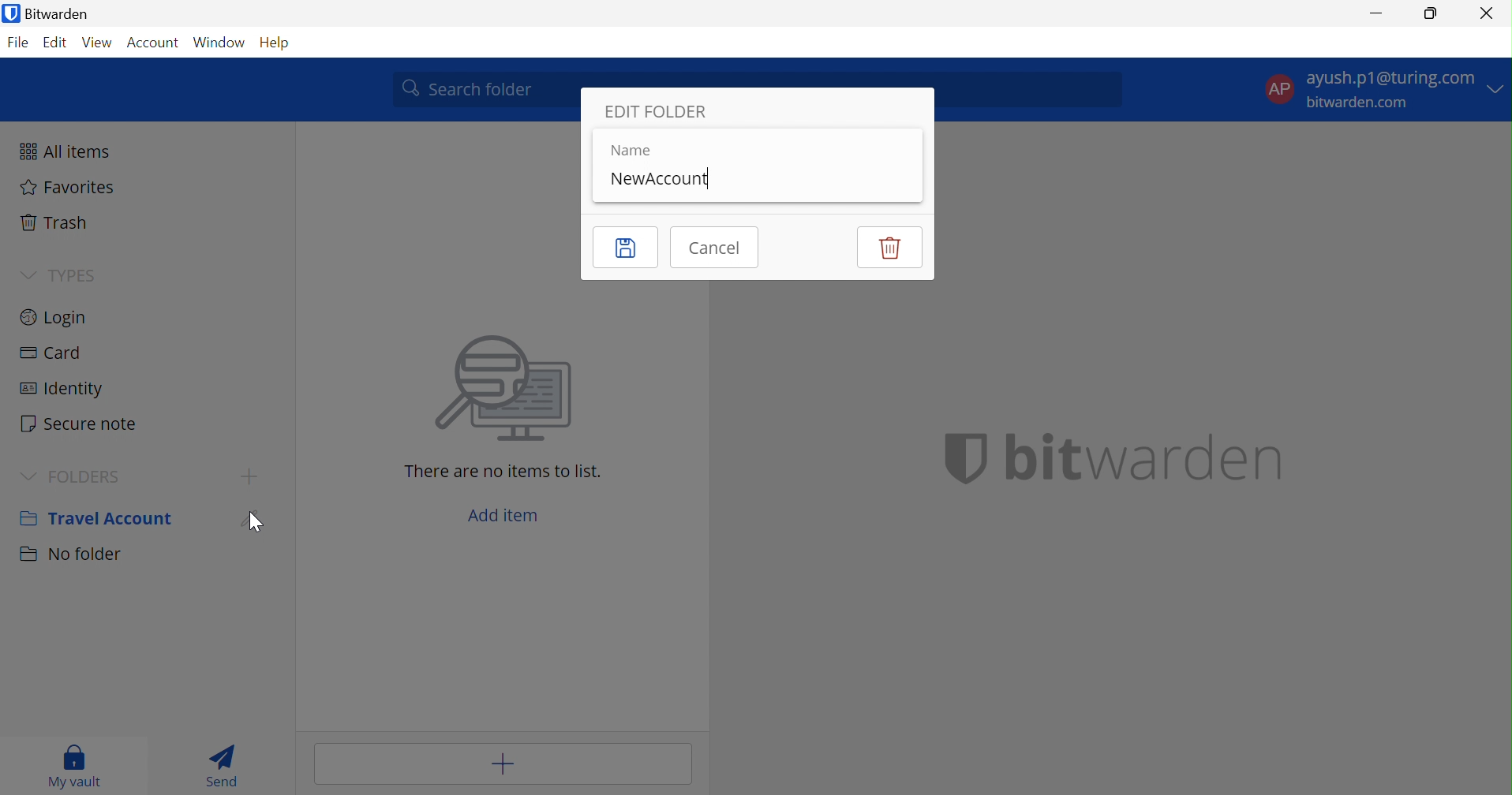 The image size is (1512, 795). I want to click on Trash, so click(56, 222).